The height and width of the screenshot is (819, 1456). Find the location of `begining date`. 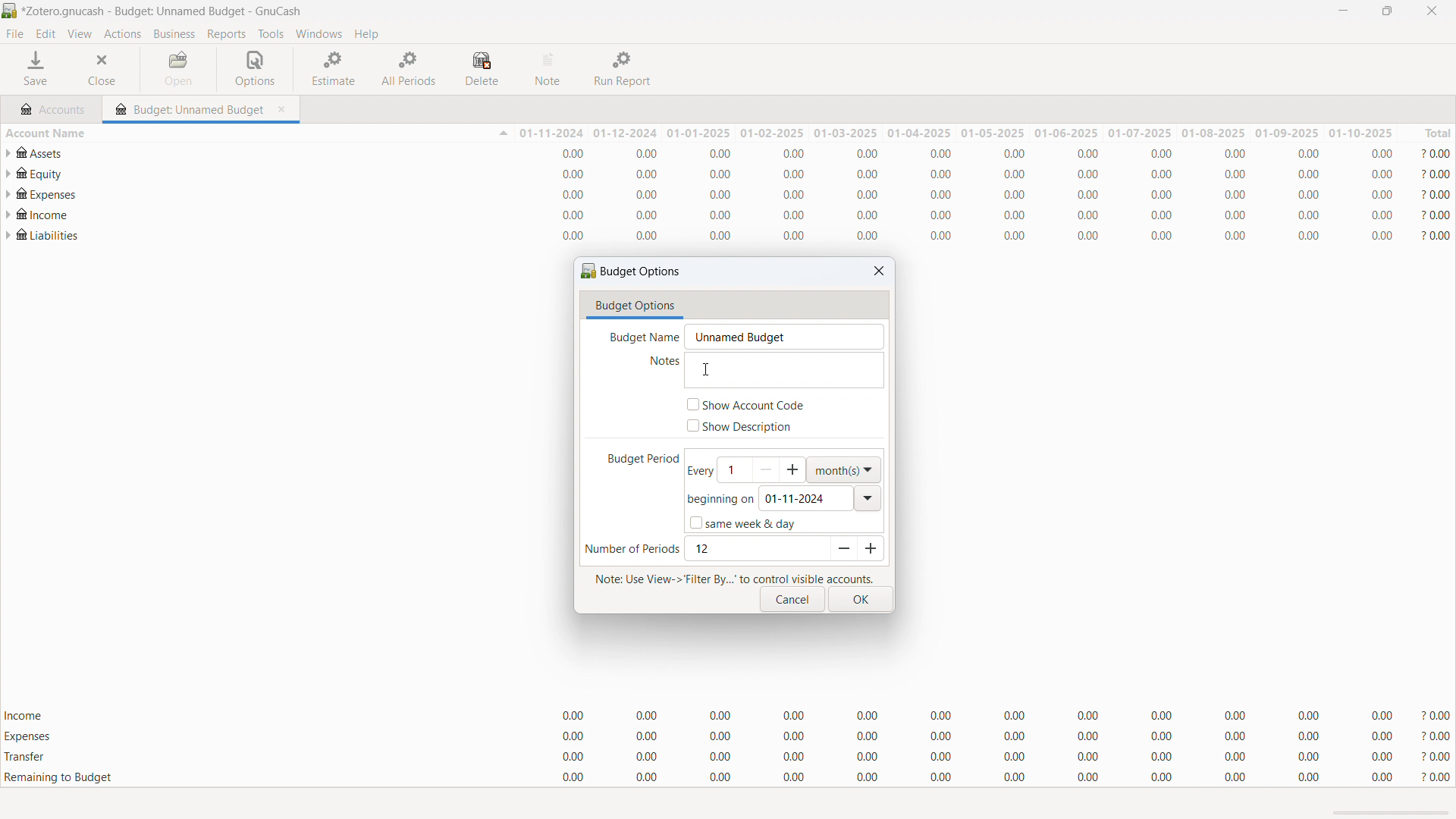

begining date is located at coordinates (806, 498).